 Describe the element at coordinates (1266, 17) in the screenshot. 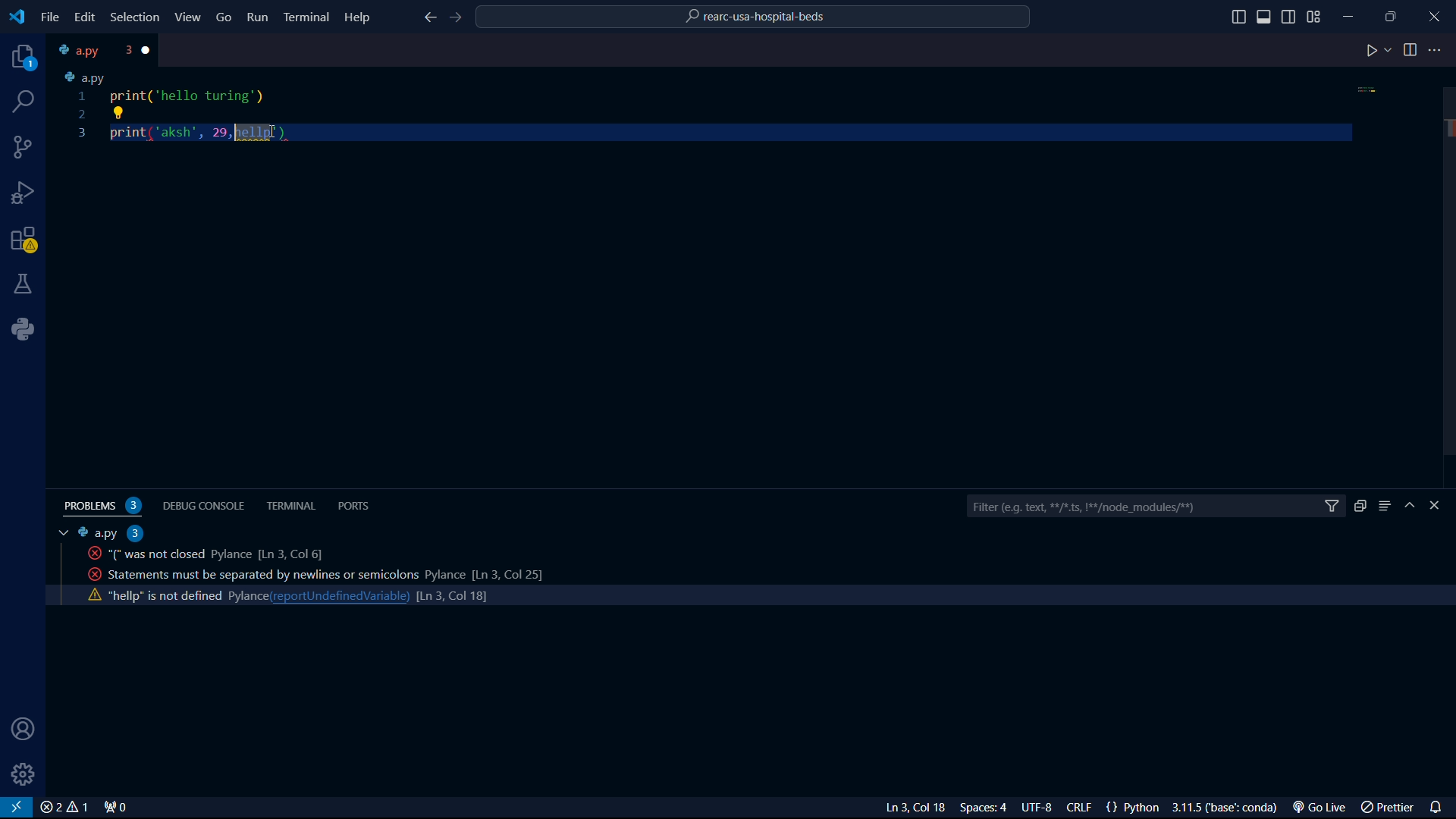

I see `toggle sidebar` at that location.